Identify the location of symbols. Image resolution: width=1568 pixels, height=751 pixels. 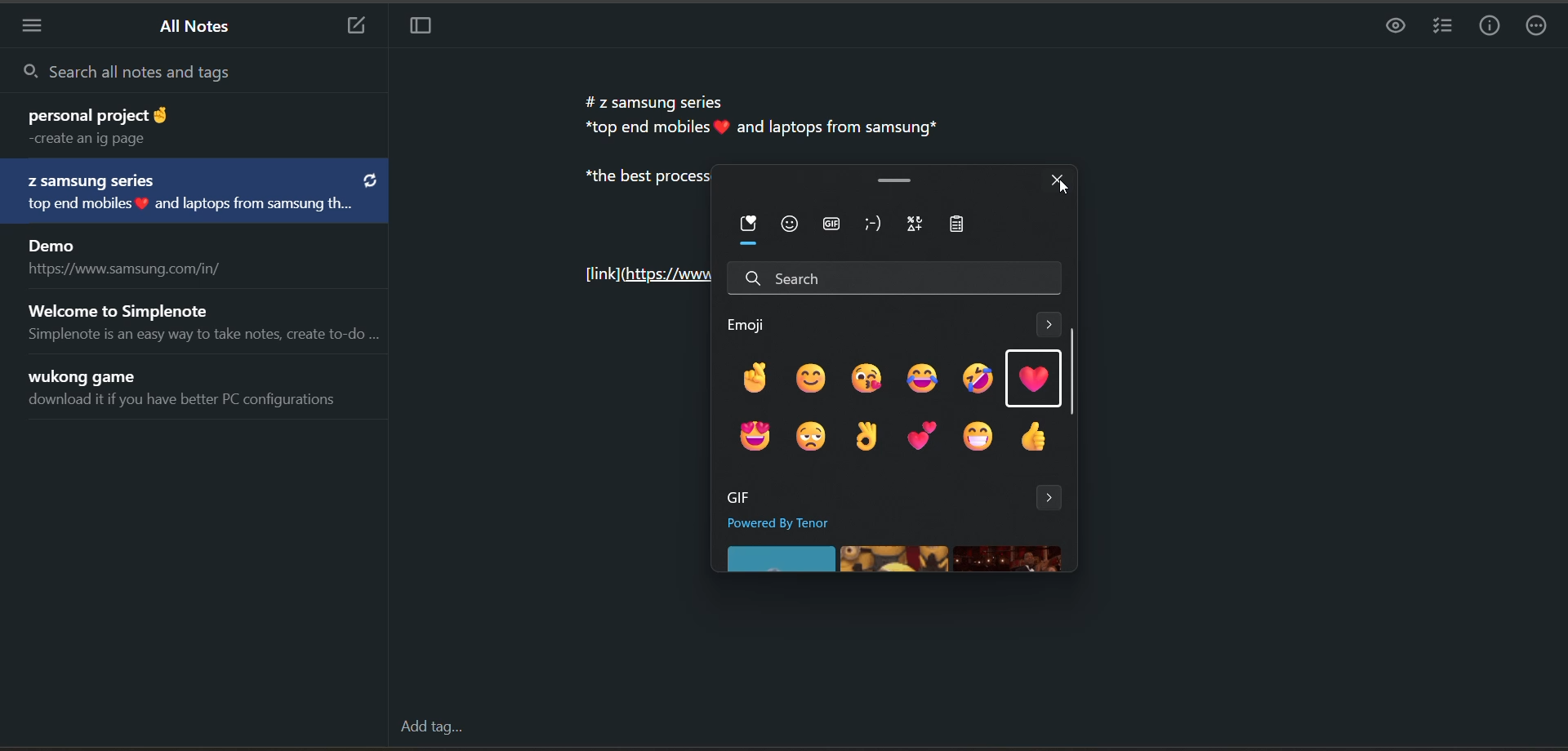
(917, 224).